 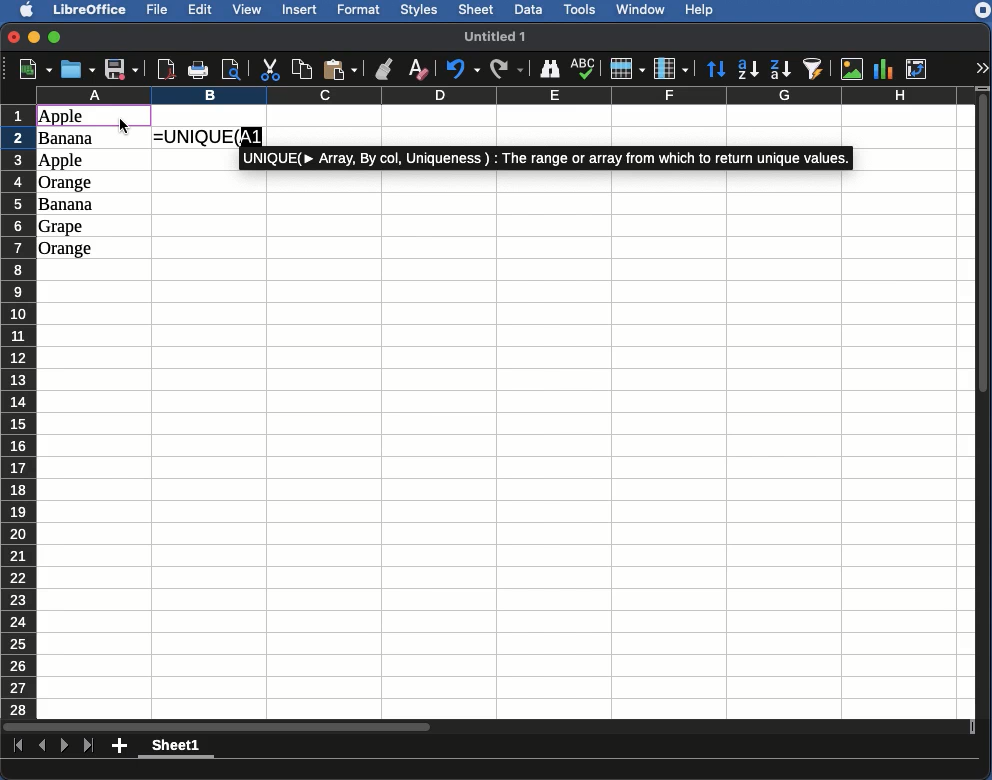 What do you see at coordinates (121, 69) in the screenshot?
I see `Save` at bounding box center [121, 69].